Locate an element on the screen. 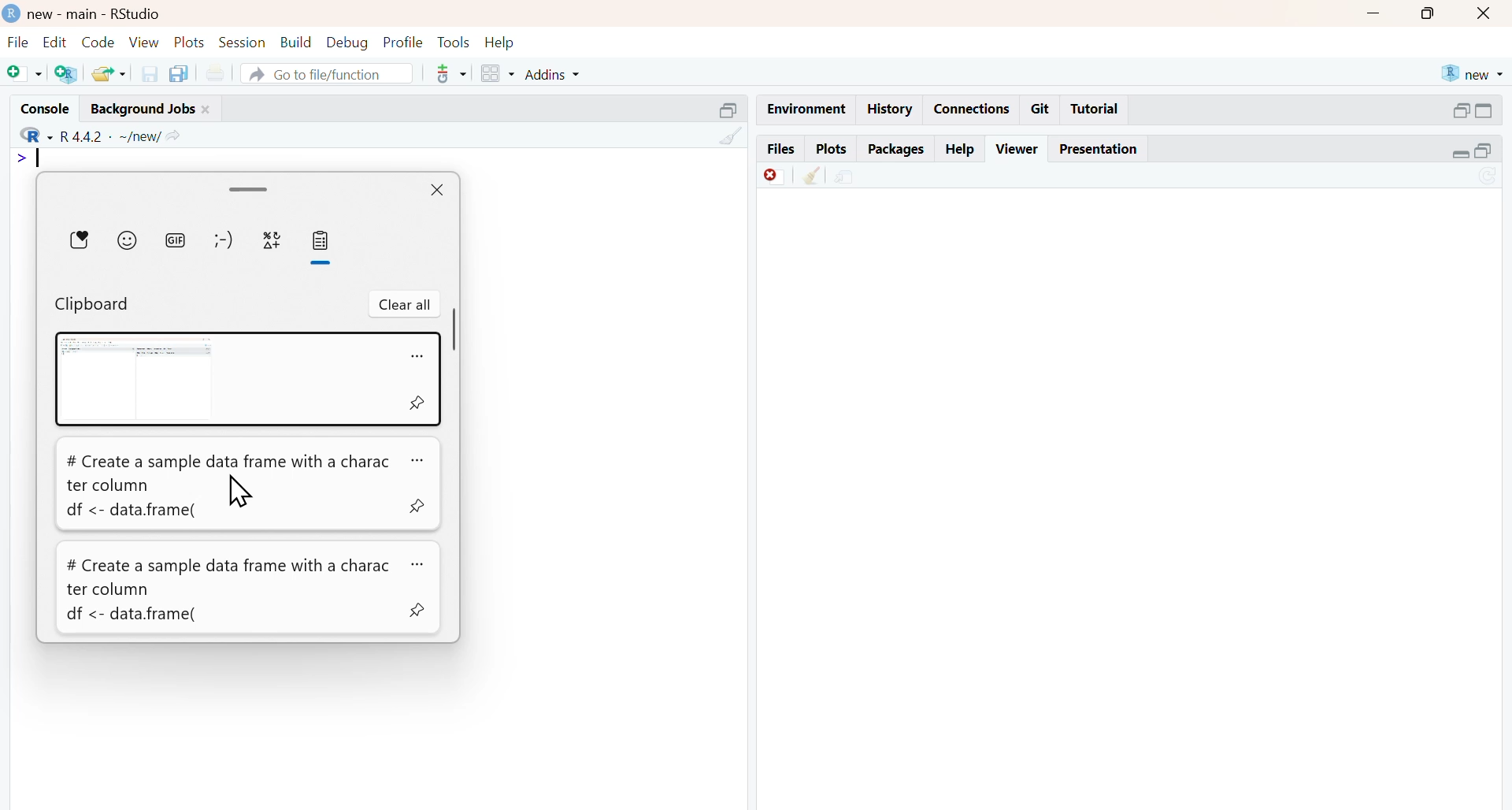 The image size is (1512, 810). expand/collapse is located at coordinates (1485, 110).